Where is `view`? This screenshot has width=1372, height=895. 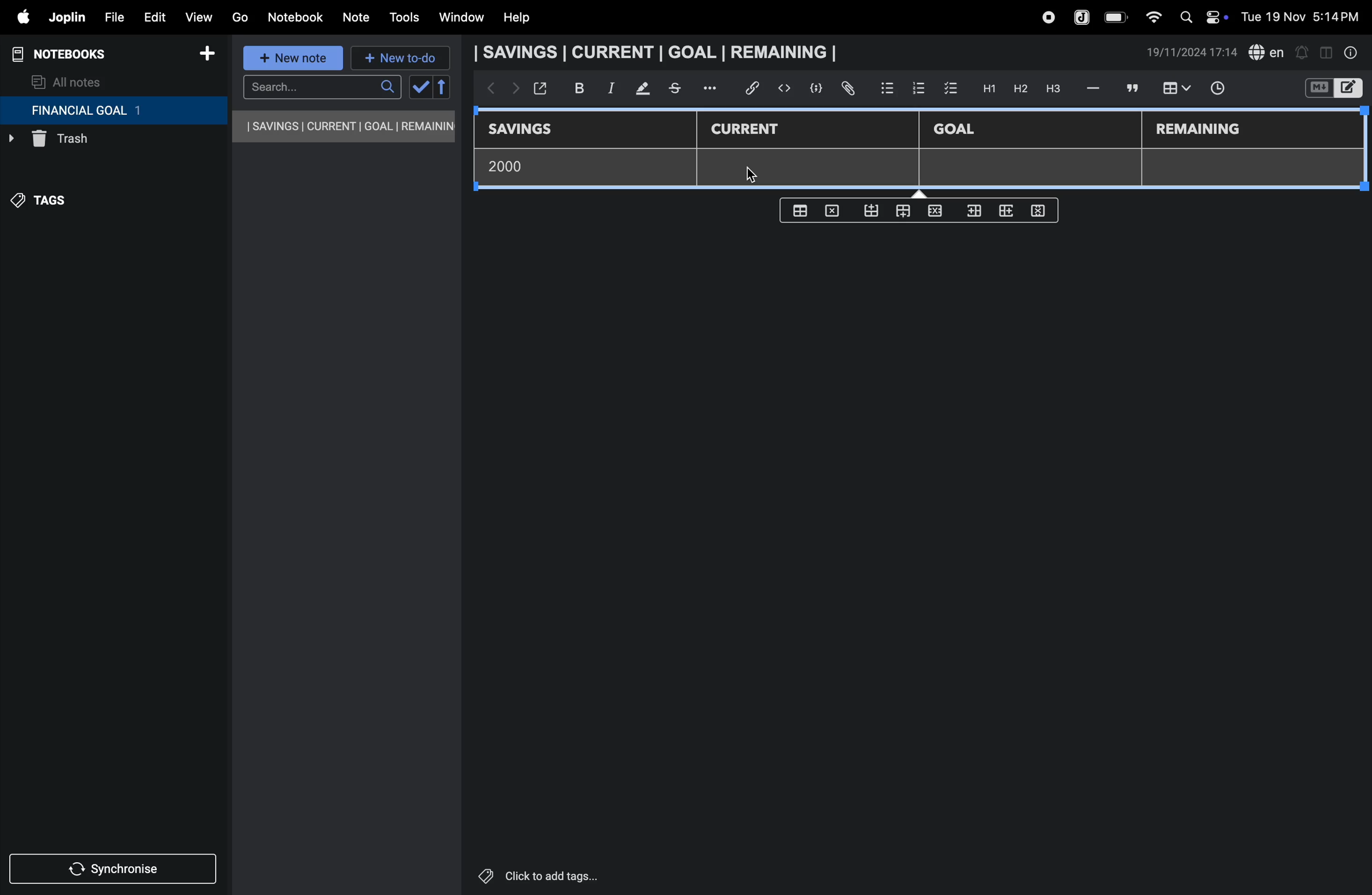
view is located at coordinates (198, 14).